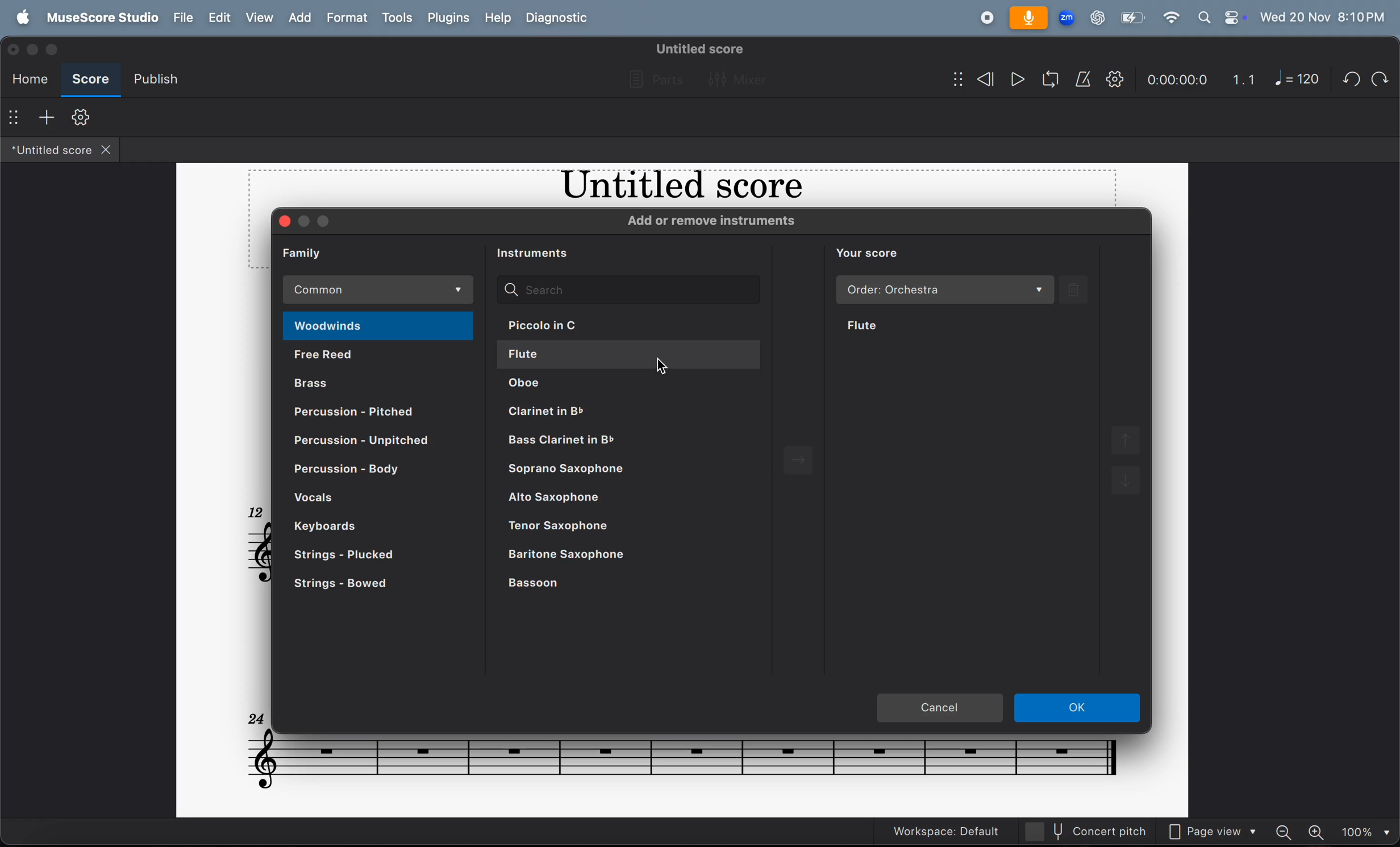 This screenshot has width=1400, height=847. Describe the element at coordinates (644, 413) in the screenshot. I see `clarient in b` at that location.